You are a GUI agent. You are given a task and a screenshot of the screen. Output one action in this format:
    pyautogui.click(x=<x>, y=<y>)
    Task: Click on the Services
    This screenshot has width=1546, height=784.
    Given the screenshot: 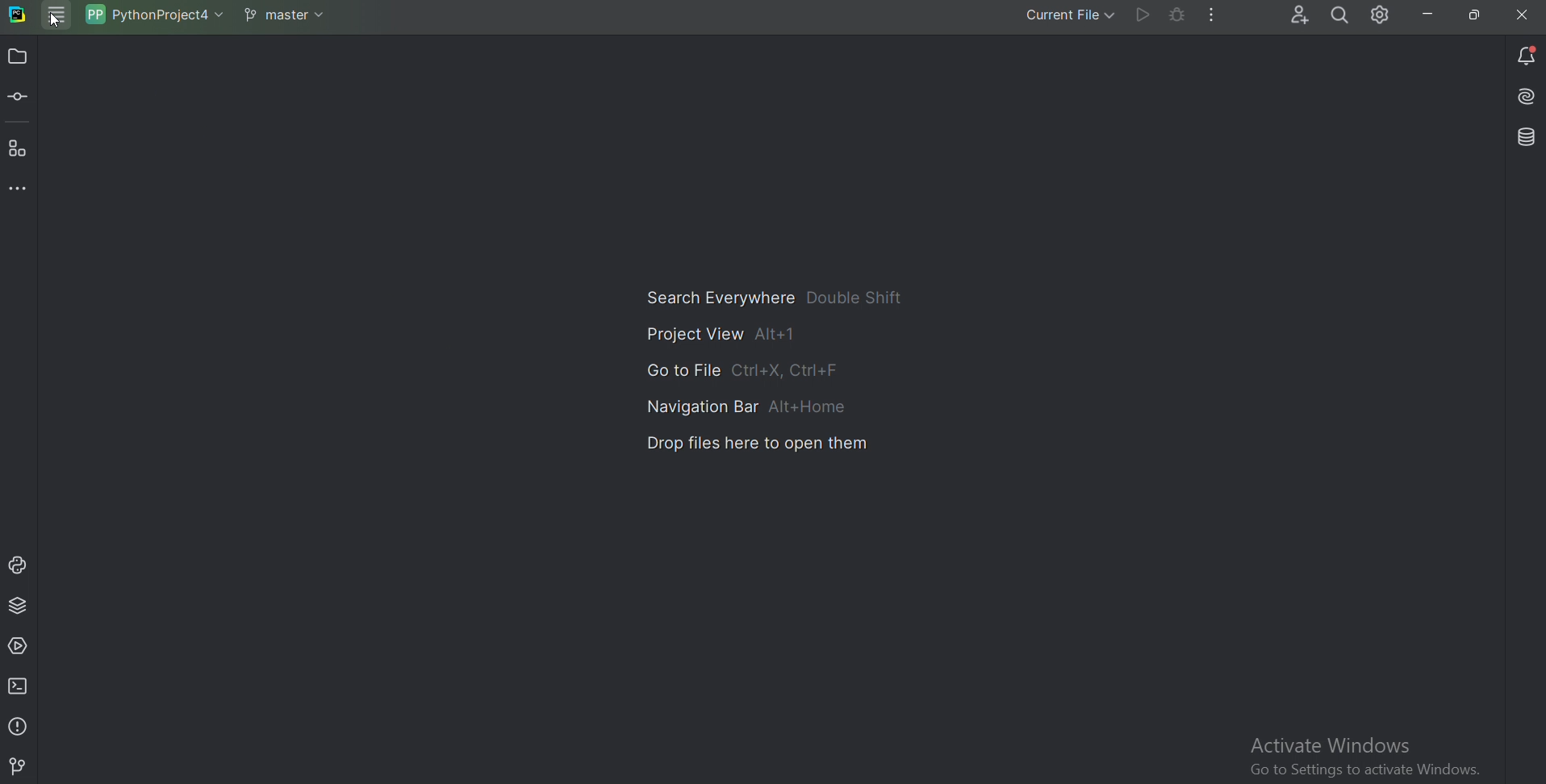 What is the action you would take?
    pyautogui.click(x=22, y=644)
    